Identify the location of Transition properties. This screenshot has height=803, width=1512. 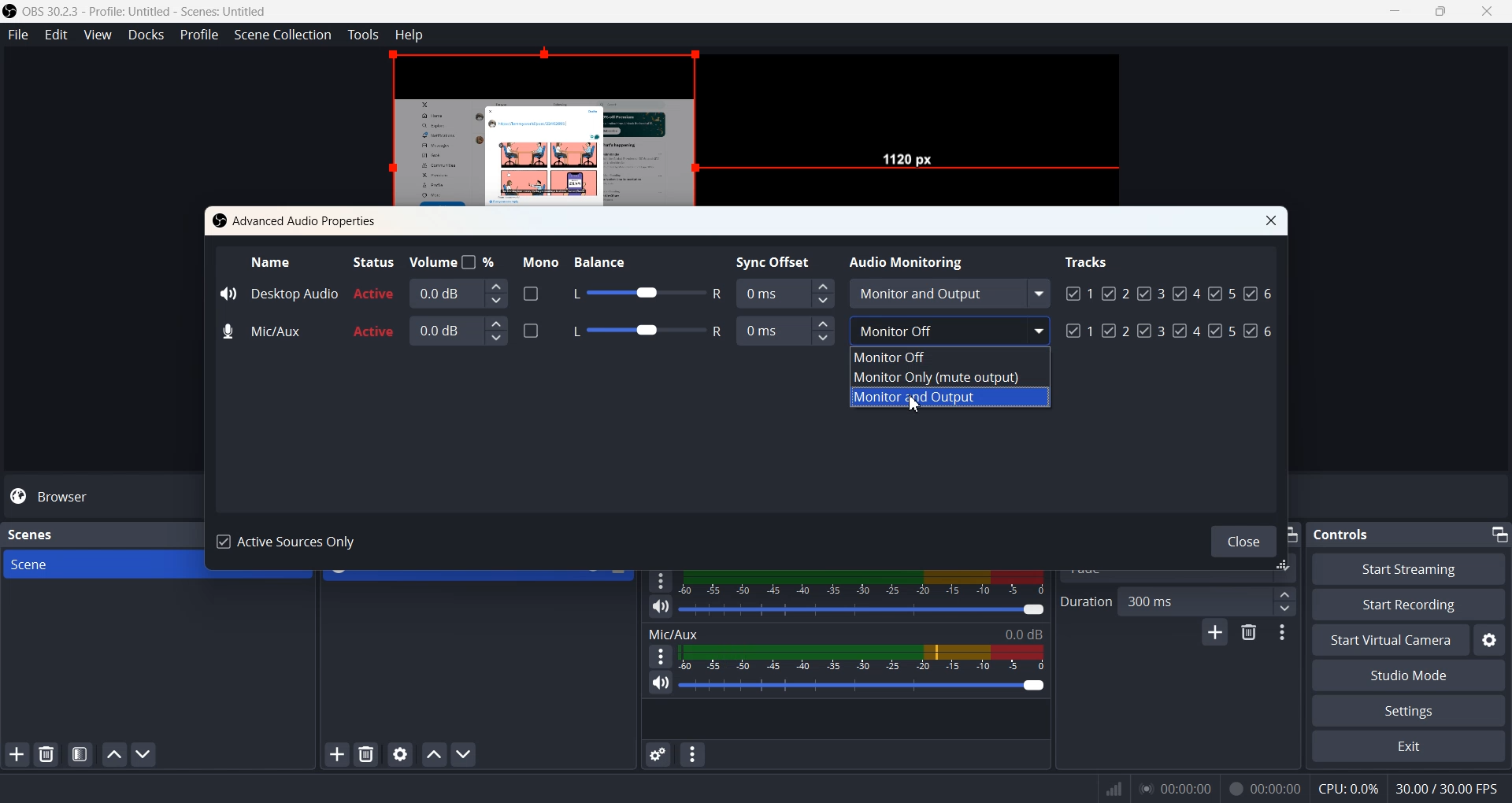
(1285, 635).